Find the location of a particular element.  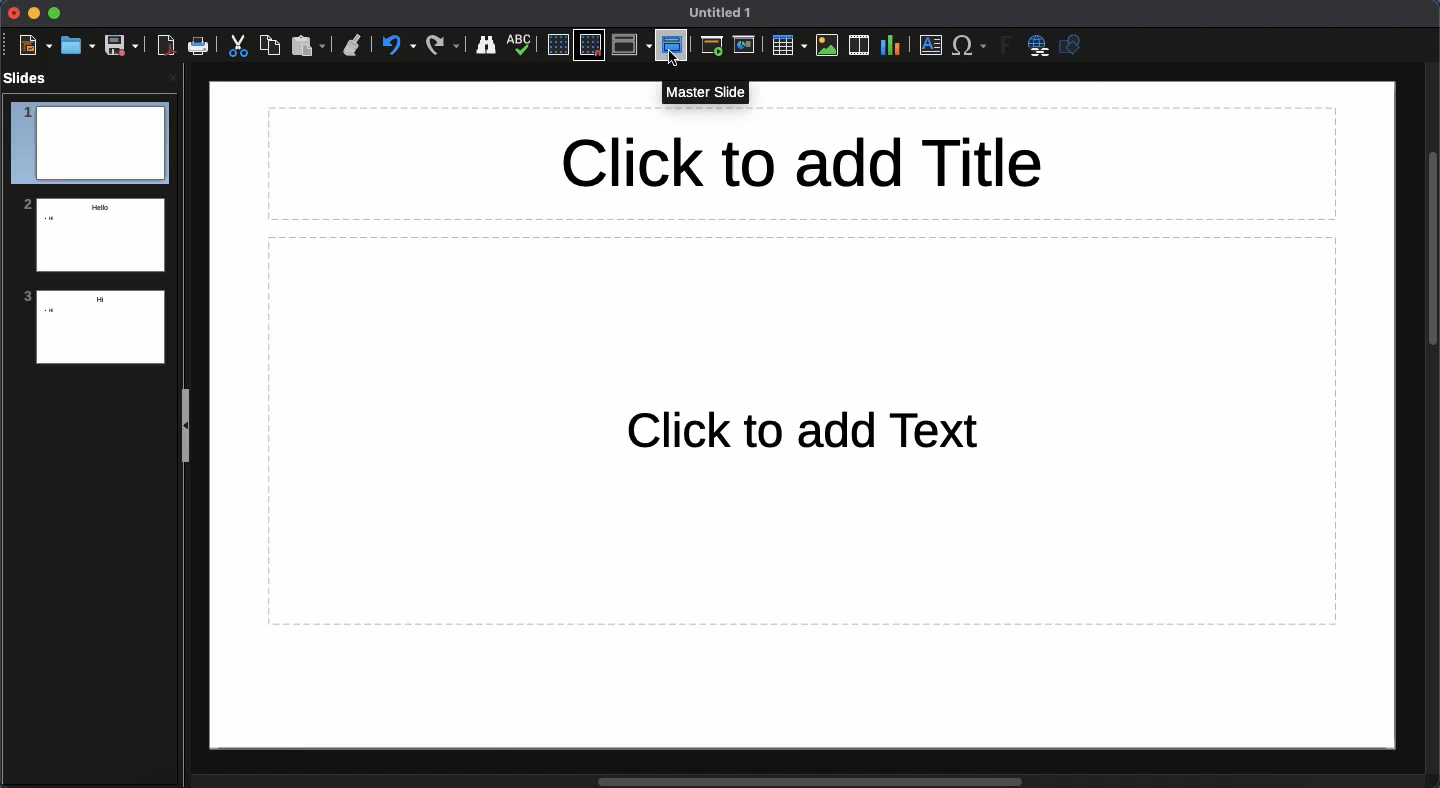

Open is located at coordinates (75, 46).